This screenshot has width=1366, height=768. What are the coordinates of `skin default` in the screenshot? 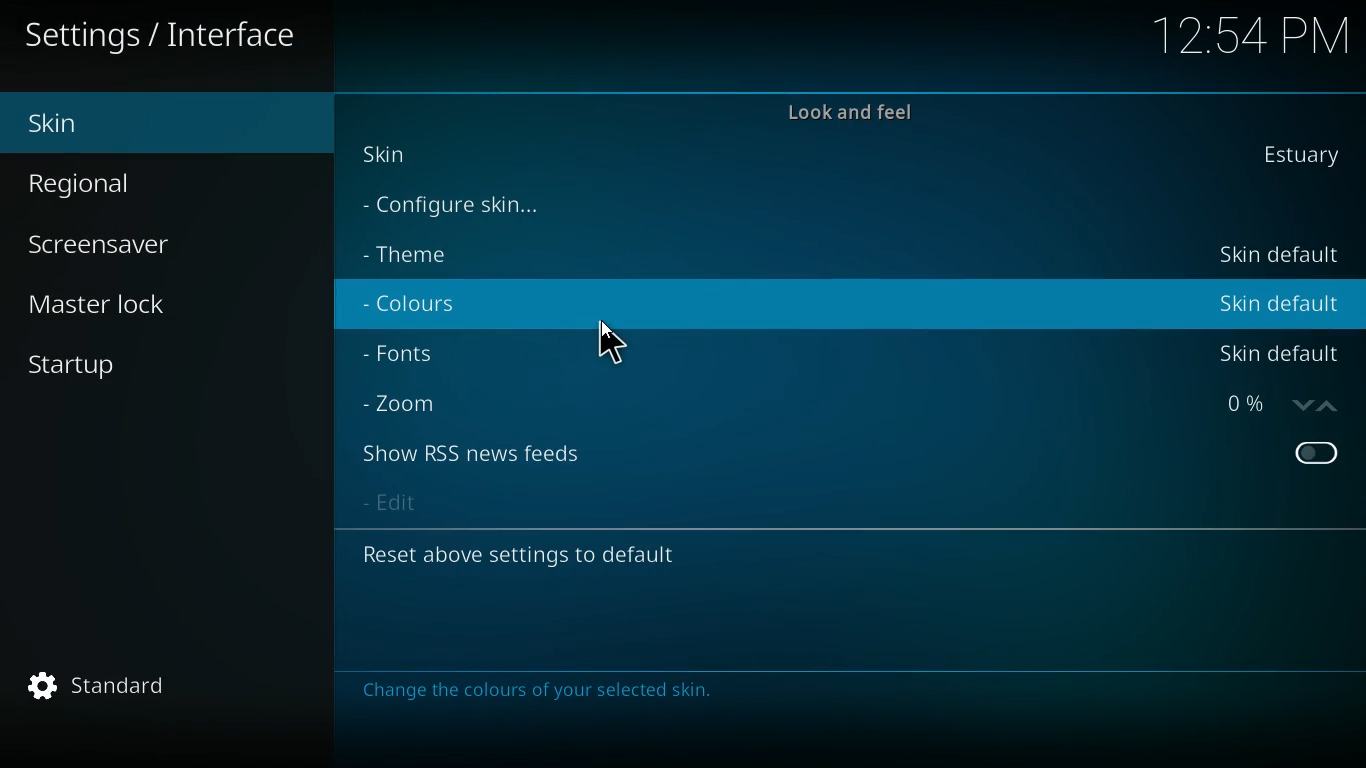 It's located at (1276, 256).